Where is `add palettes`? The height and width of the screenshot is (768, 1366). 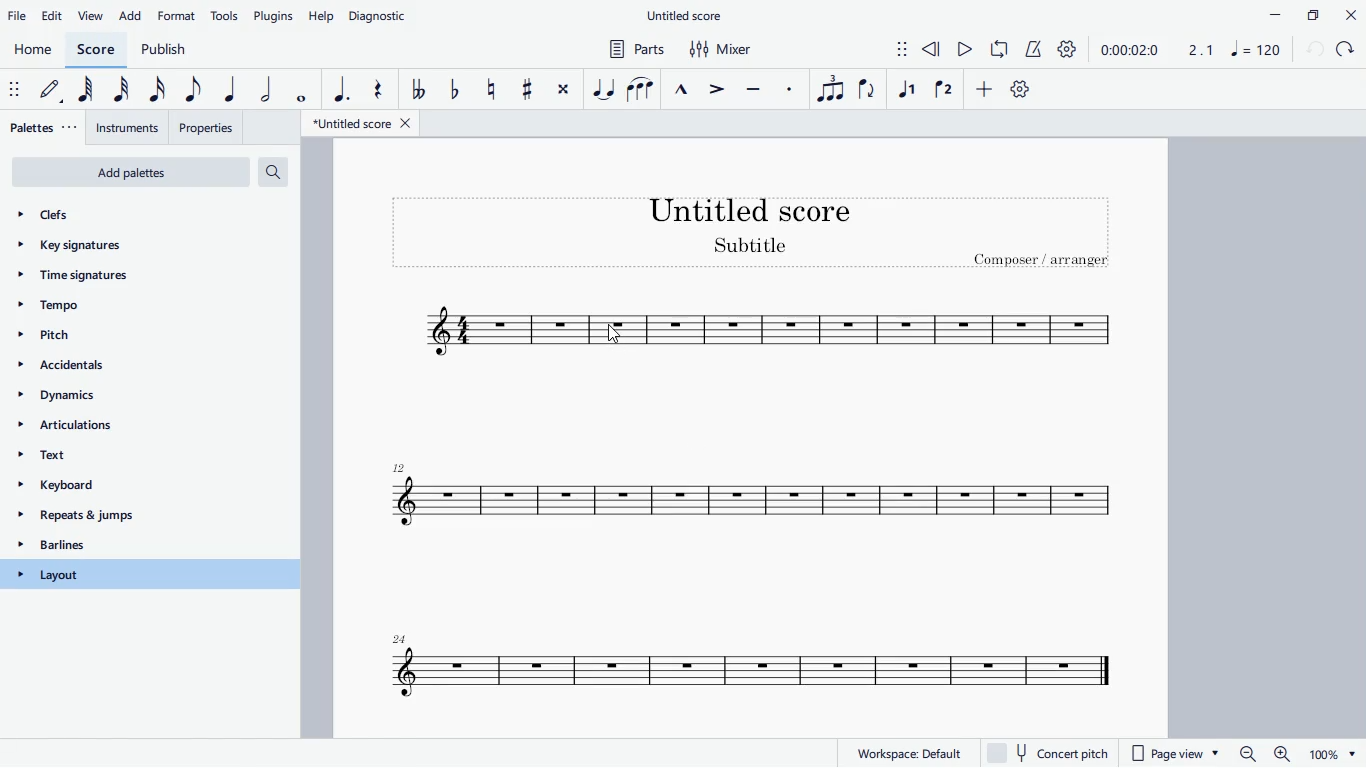
add palettes is located at coordinates (131, 174).